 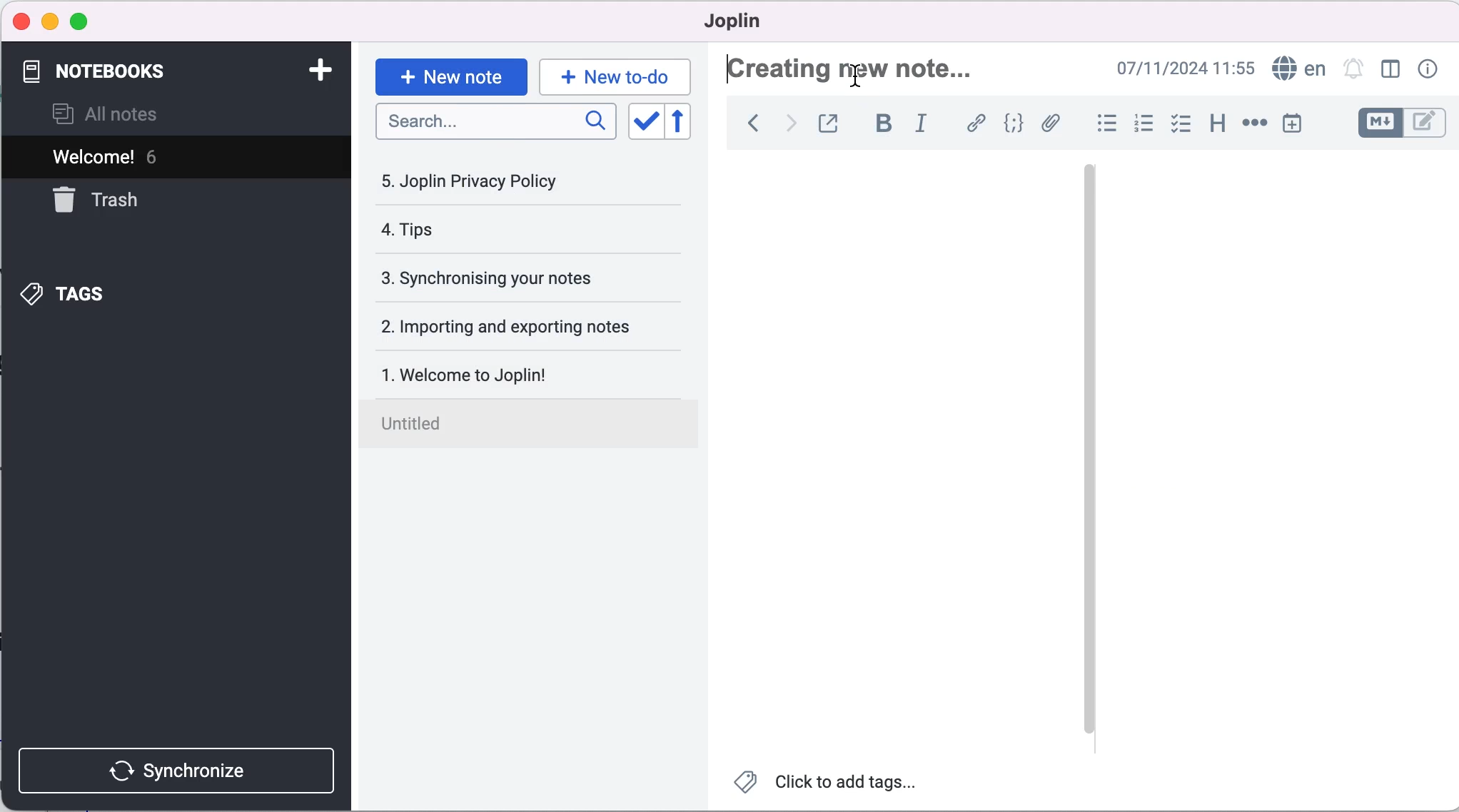 What do you see at coordinates (1278, 456) in the screenshot?
I see `blank canvas` at bounding box center [1278, 456].